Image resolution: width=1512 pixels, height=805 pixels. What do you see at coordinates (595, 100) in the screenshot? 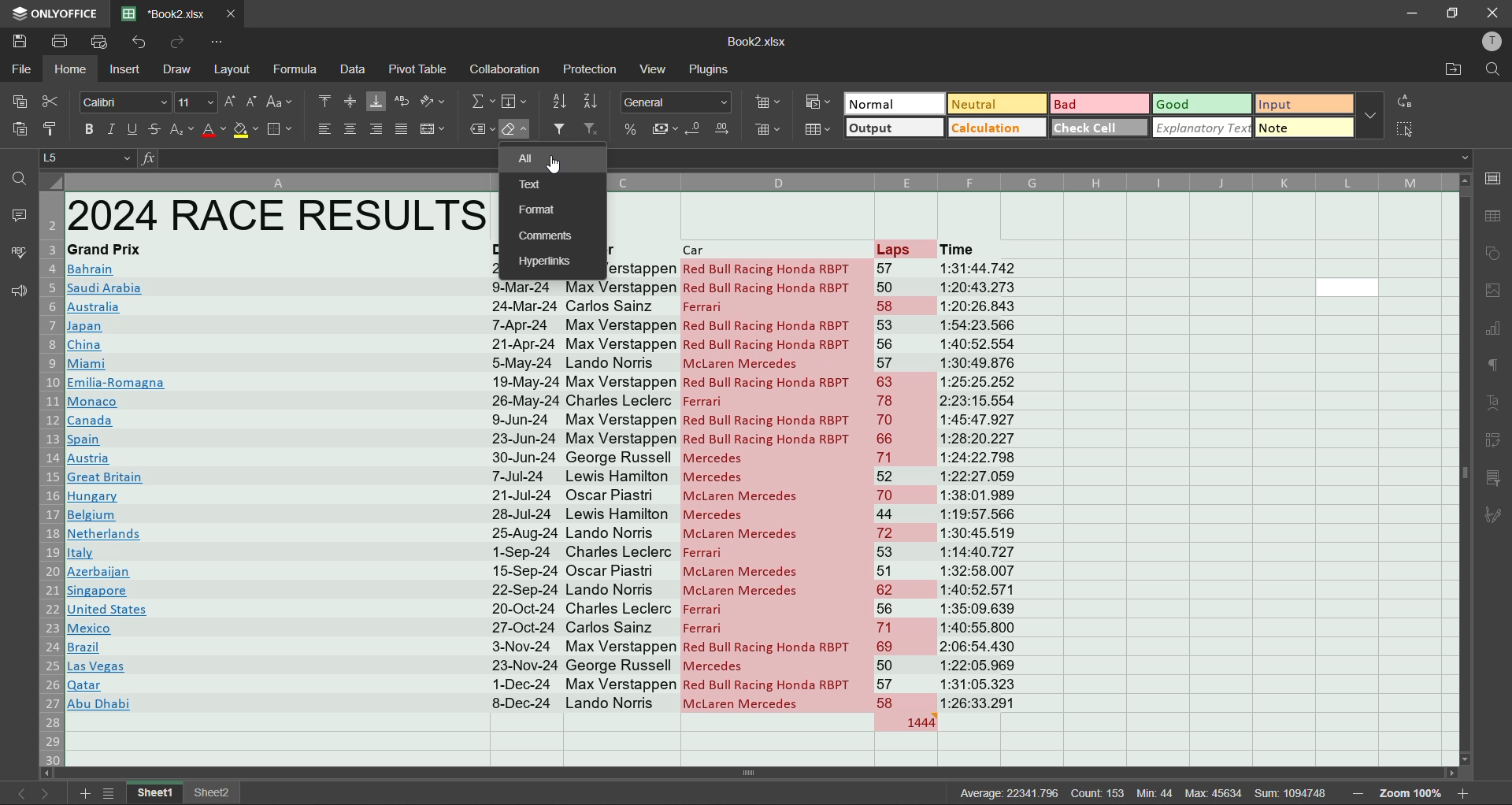
I see `sort descending` at bounding box center [595, 100].